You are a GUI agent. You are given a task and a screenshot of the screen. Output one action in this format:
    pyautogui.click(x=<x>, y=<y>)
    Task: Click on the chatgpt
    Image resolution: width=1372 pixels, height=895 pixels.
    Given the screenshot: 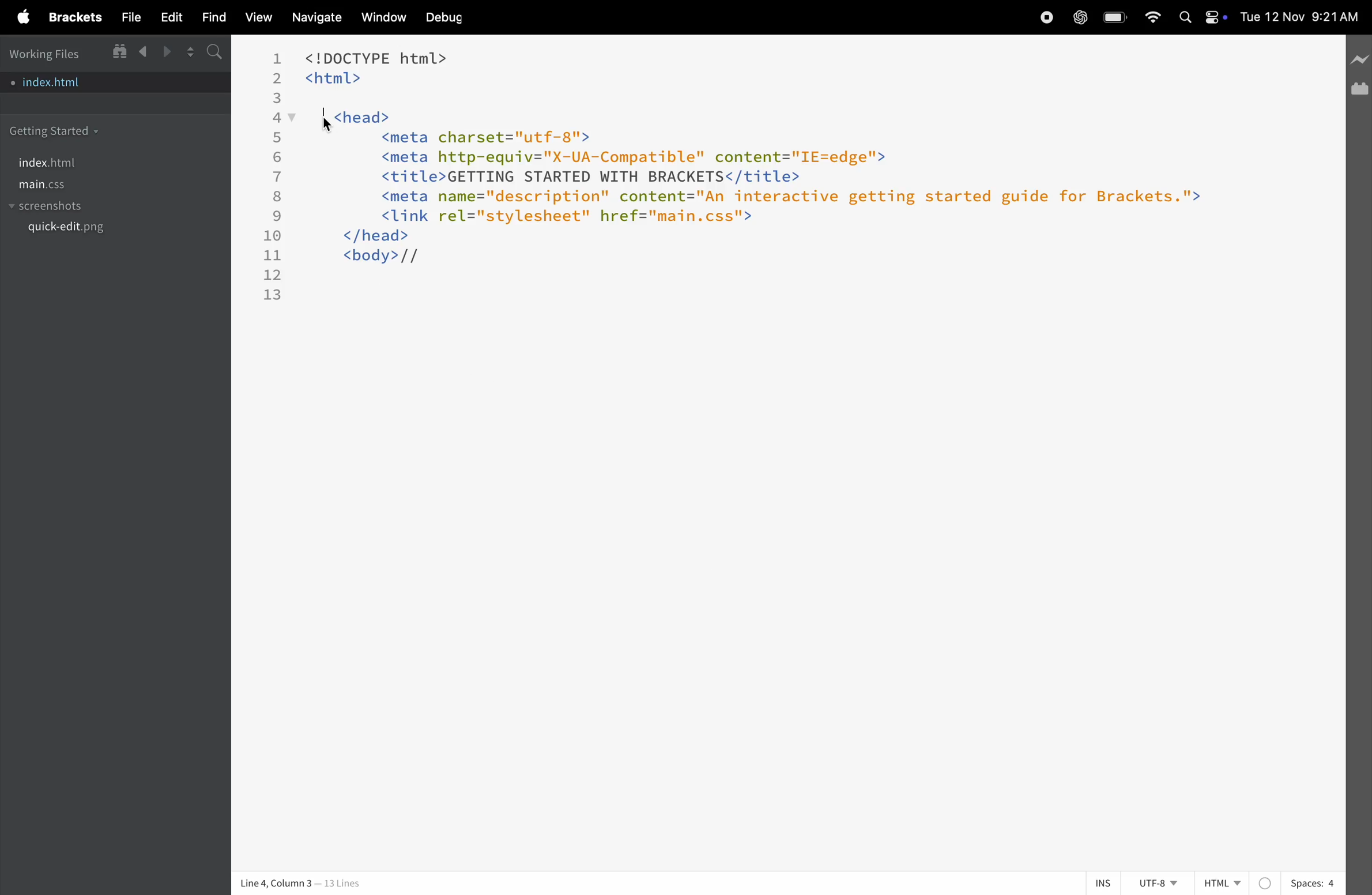 What is the action you would take?
    pyautogui.click(x=1077, y=17)
    